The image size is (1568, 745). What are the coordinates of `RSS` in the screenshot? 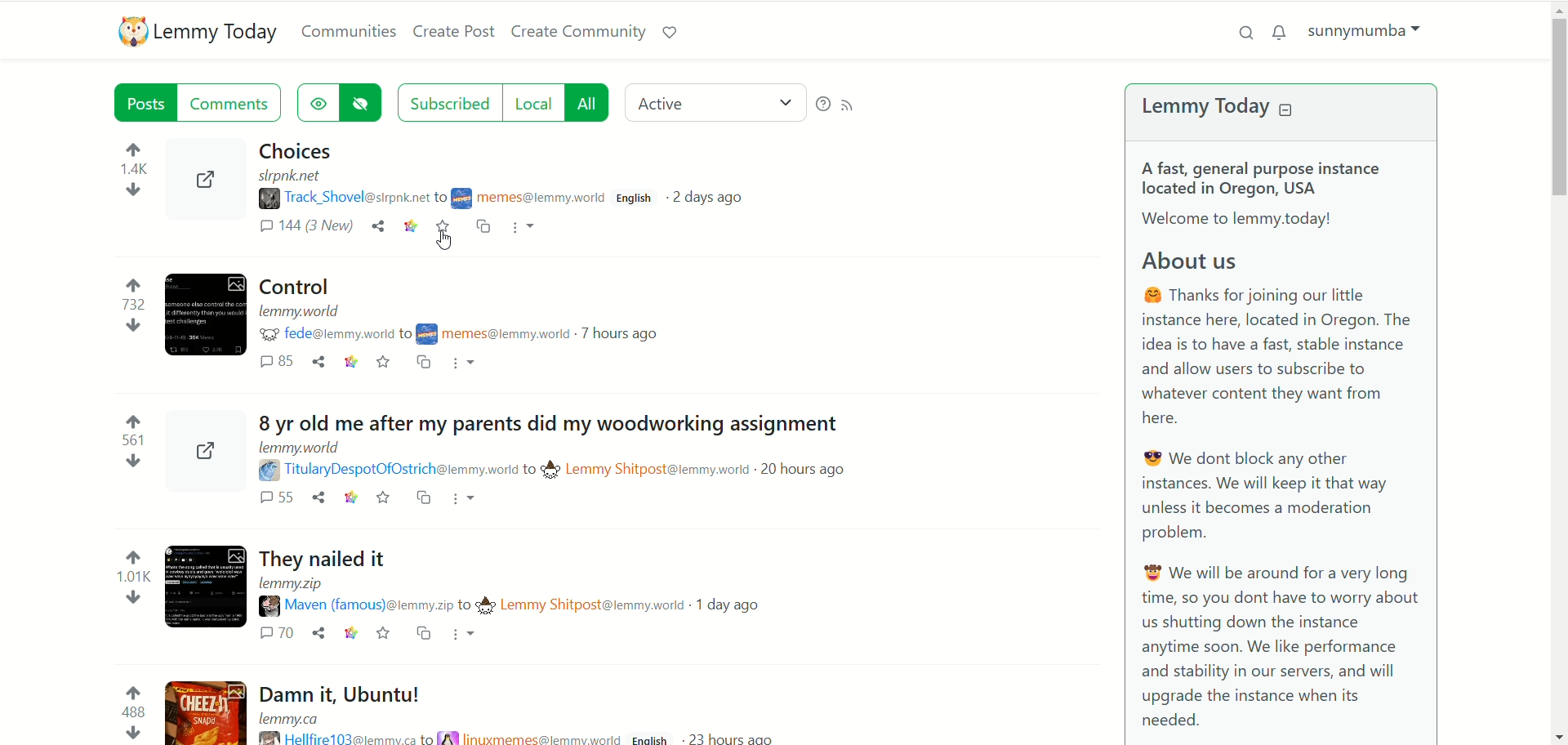 It's located at (852, 106).